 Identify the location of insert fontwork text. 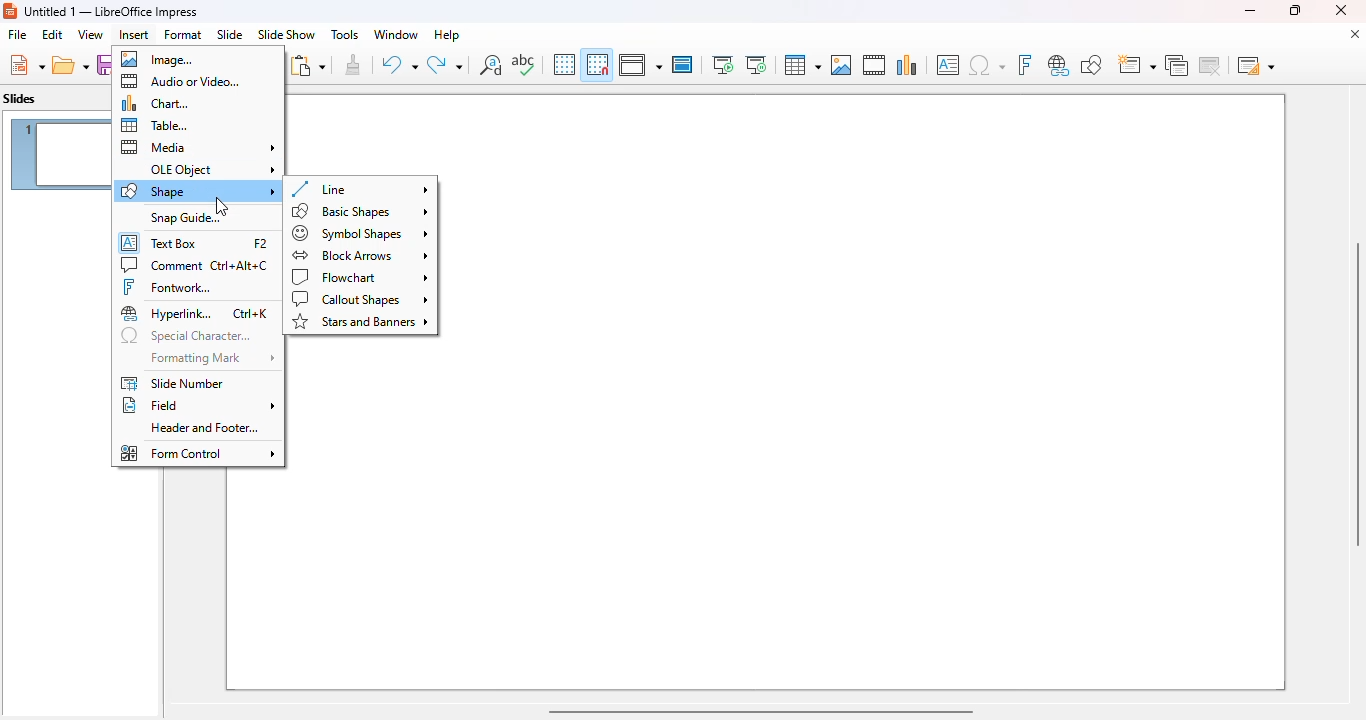
(1024, 64).